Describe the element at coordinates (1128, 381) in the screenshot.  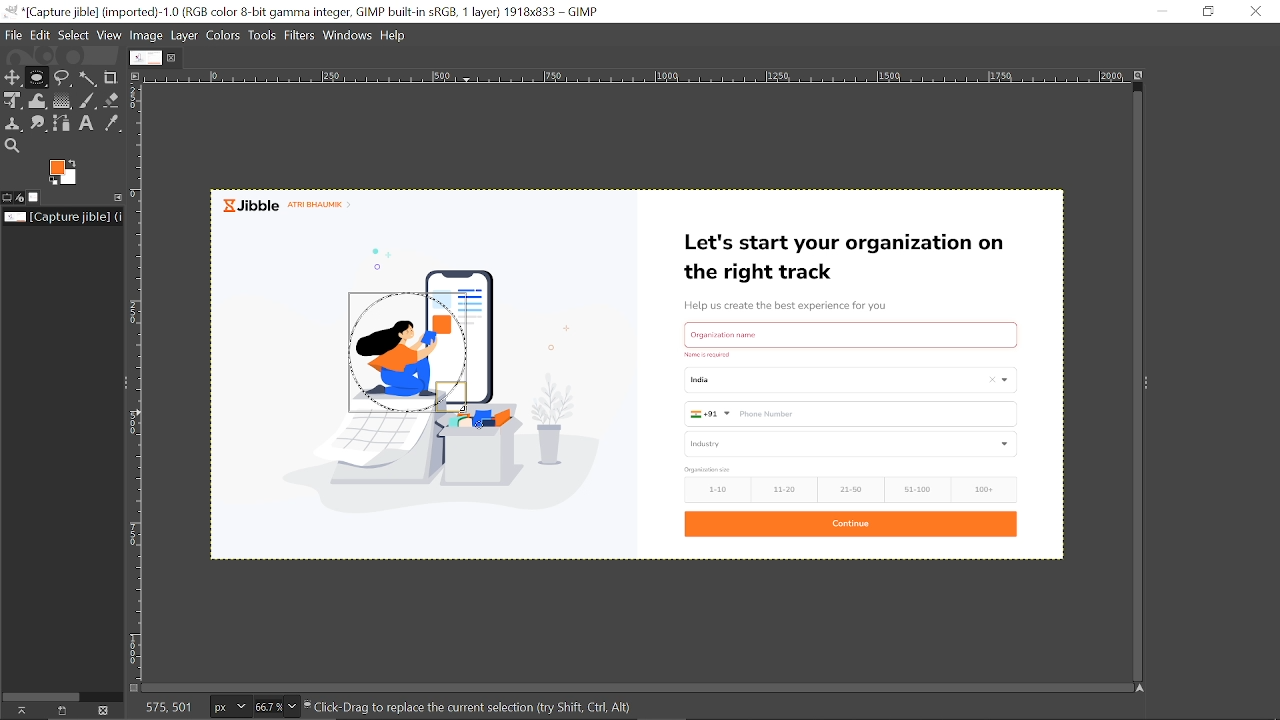
I see `vertical scroll bar` at that location.